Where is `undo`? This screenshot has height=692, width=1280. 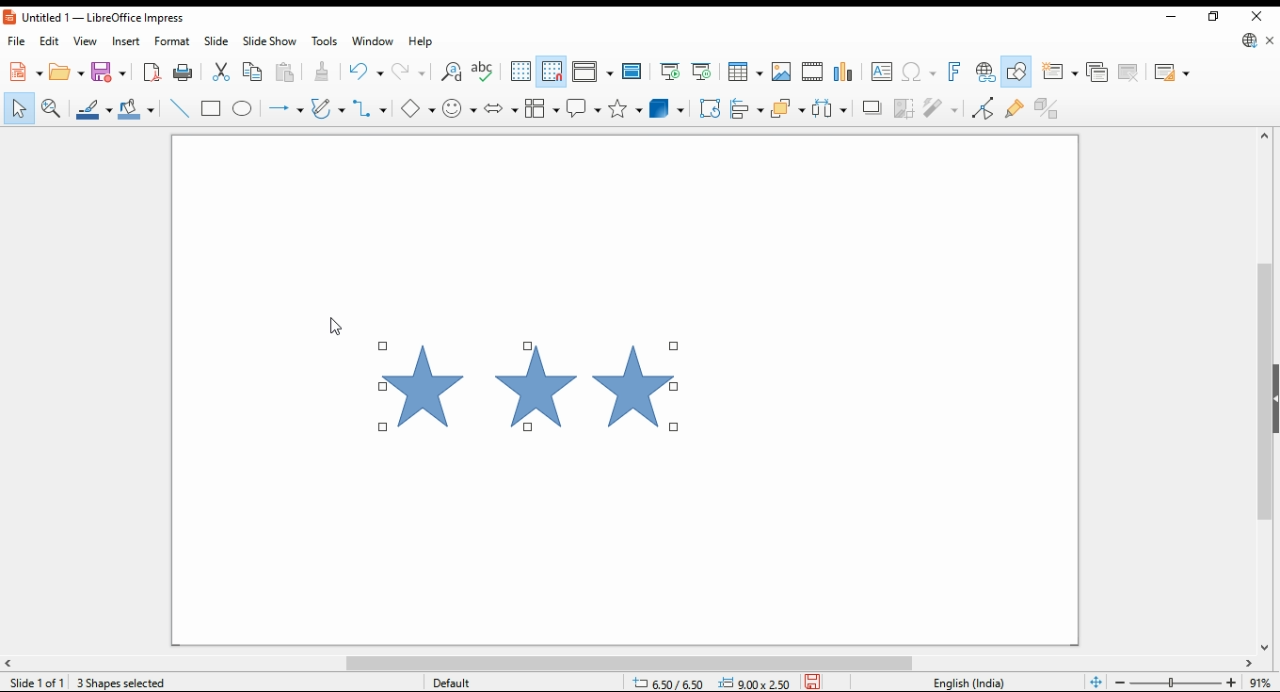 undo is located at coordinates (367, 70).